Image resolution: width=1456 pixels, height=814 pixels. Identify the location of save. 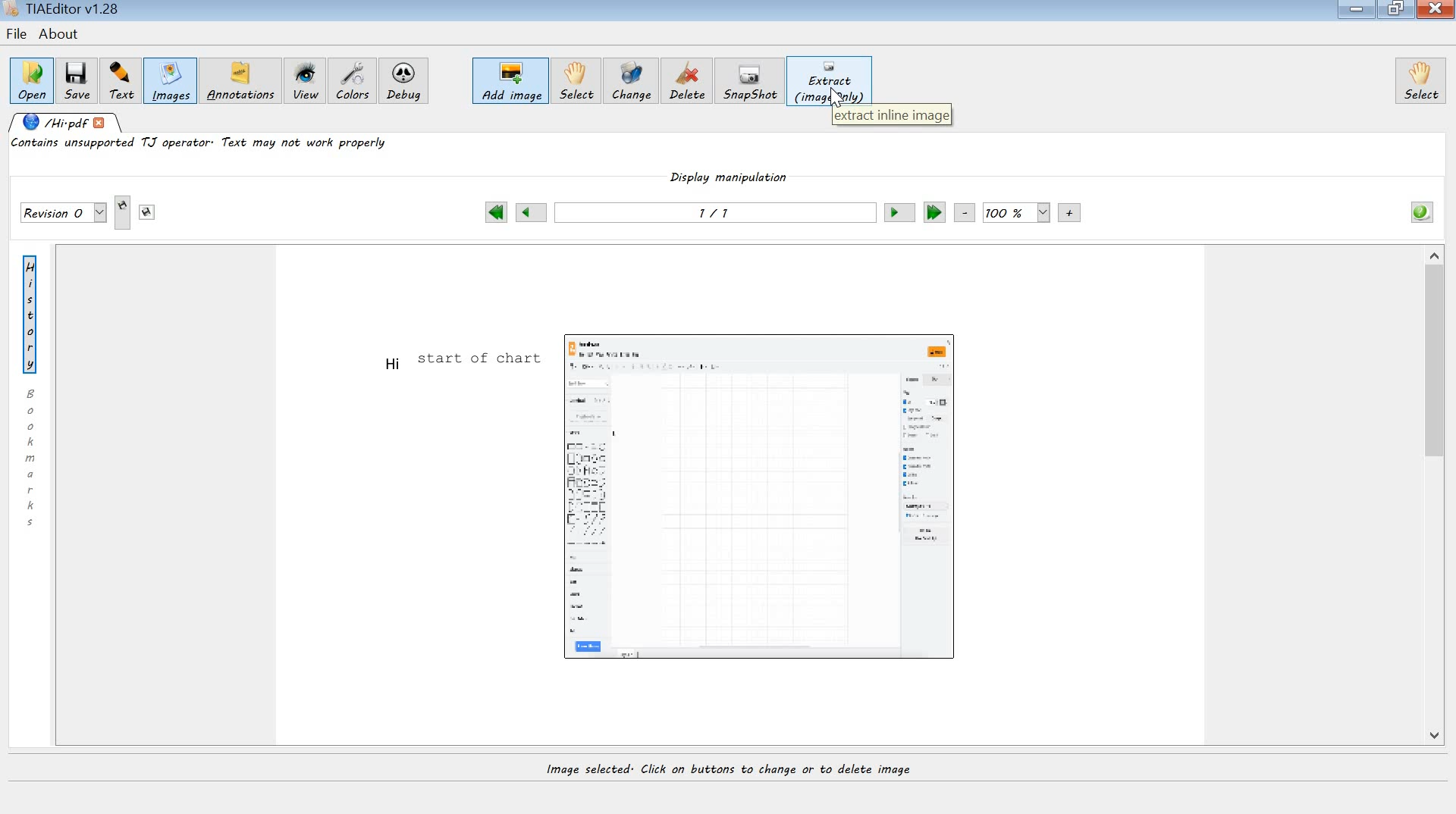
(77, 80).